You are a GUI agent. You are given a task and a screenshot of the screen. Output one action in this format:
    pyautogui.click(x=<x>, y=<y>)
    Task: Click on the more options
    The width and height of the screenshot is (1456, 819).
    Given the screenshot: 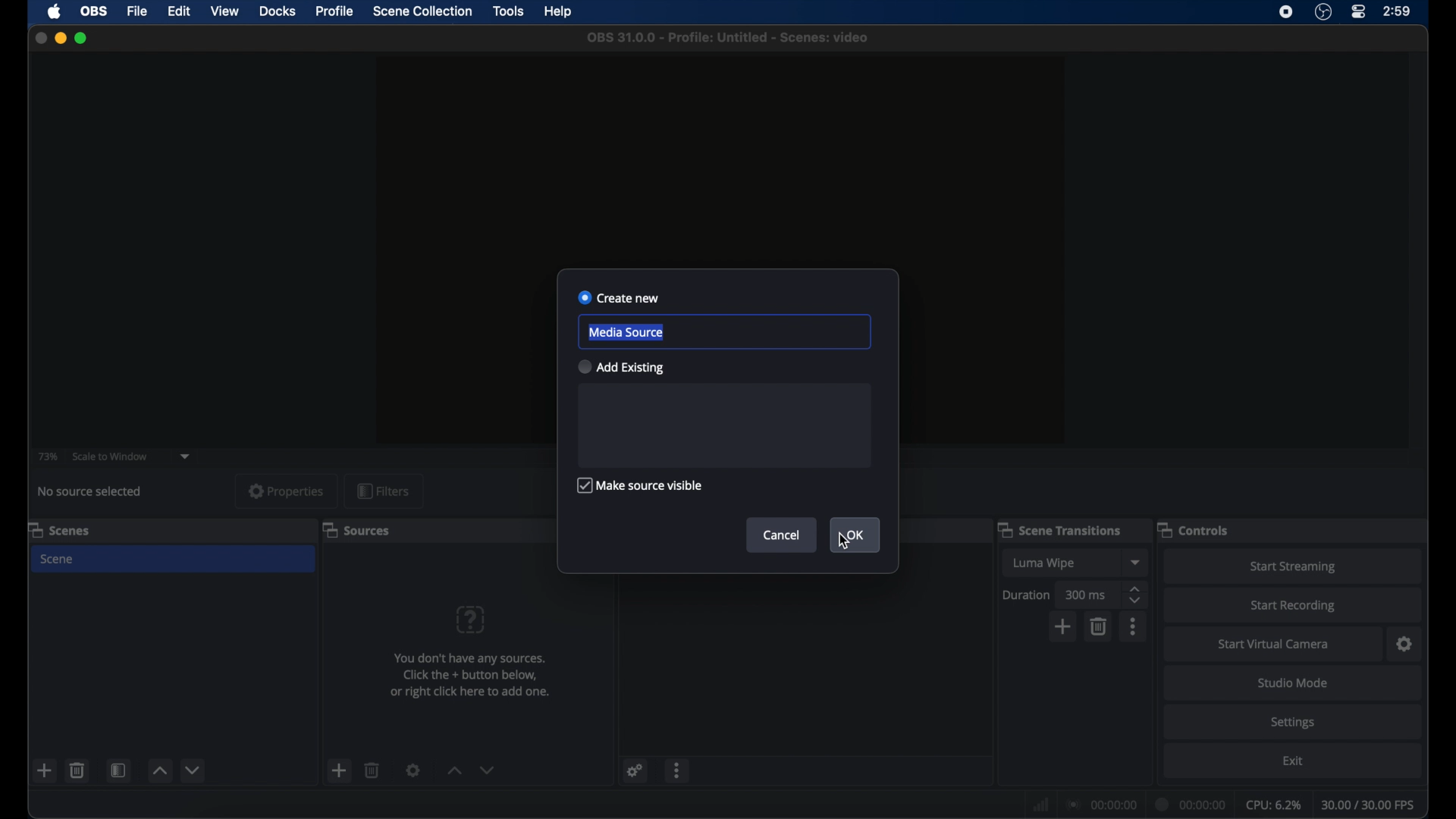 What is the action you would take?
    pyautogui.click(x=1134, y=627)
    